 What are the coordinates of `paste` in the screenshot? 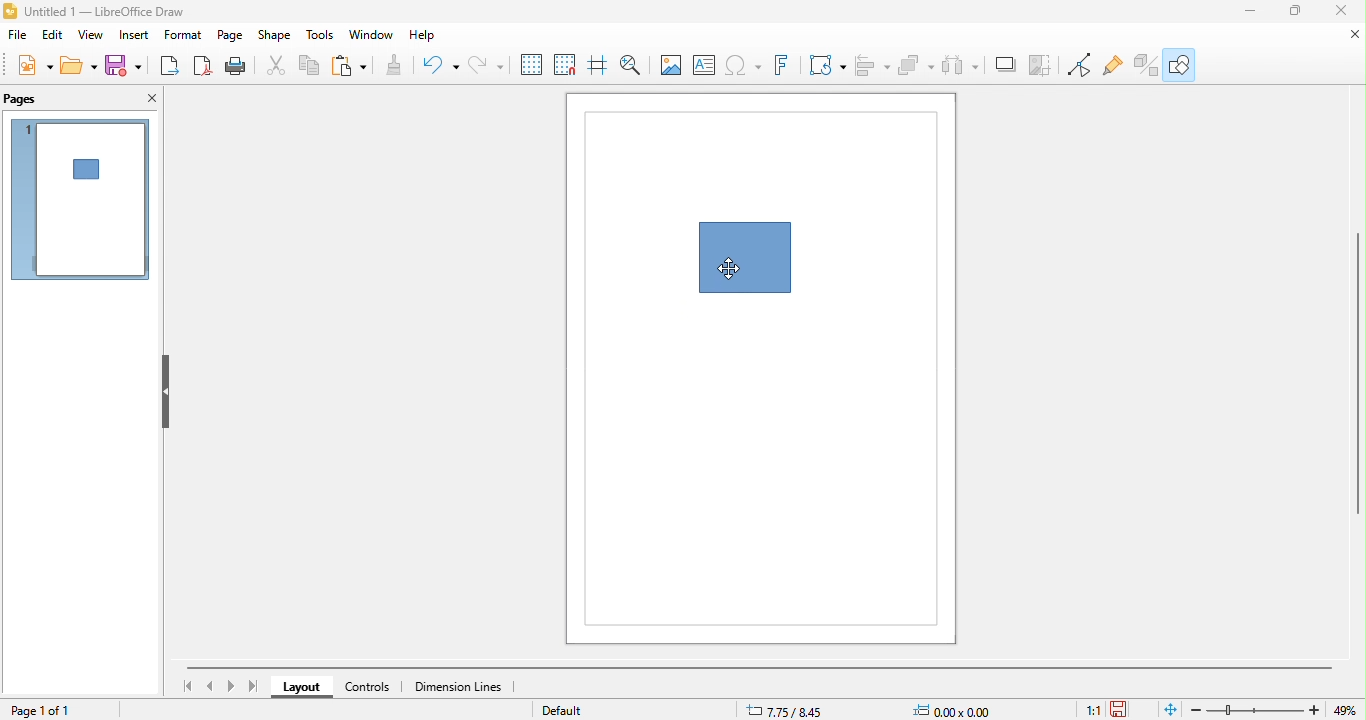 It's located at (353, 66).